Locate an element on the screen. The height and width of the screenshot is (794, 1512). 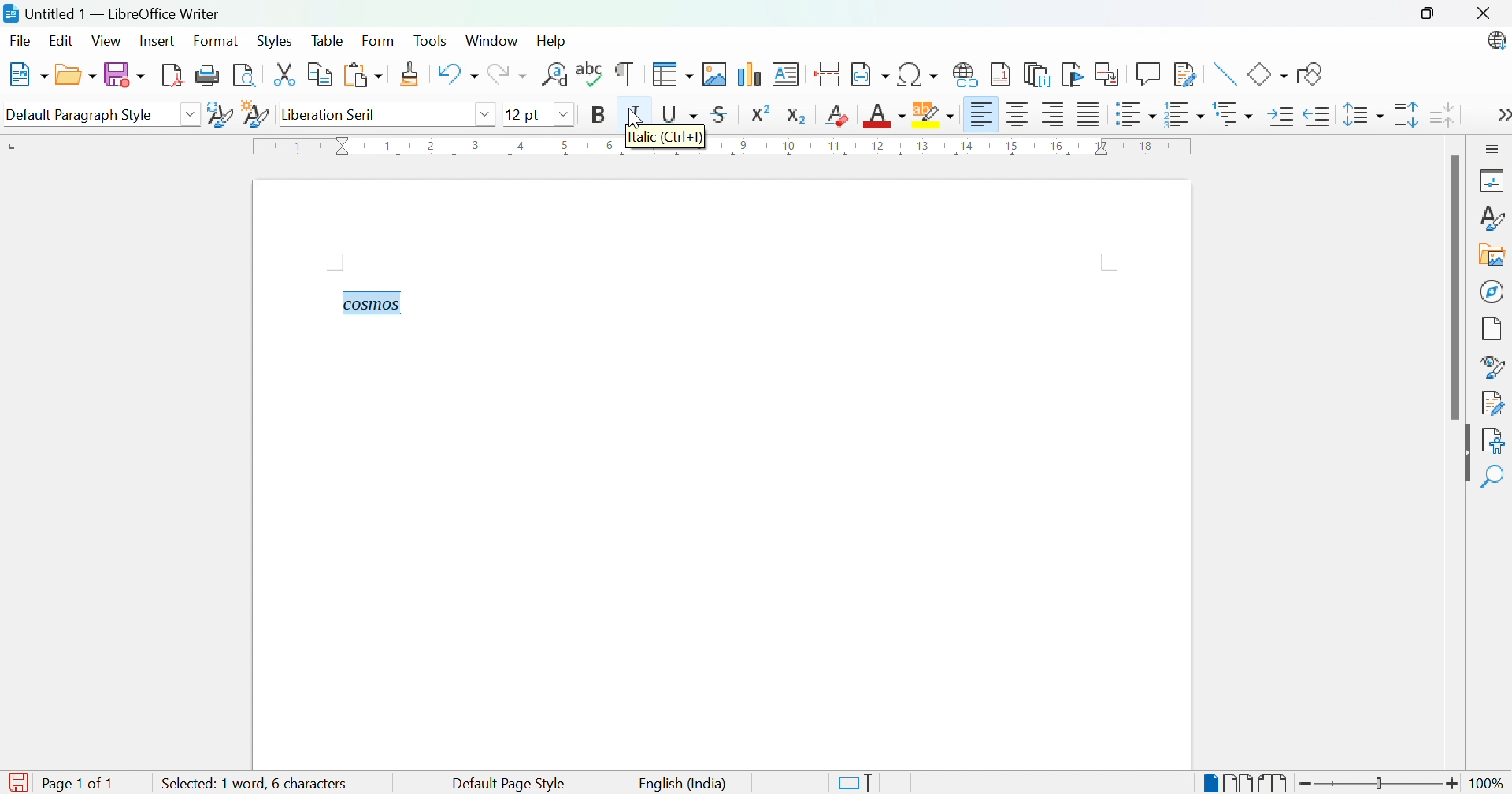
Select outline format is located at coordinates (1234, 116).